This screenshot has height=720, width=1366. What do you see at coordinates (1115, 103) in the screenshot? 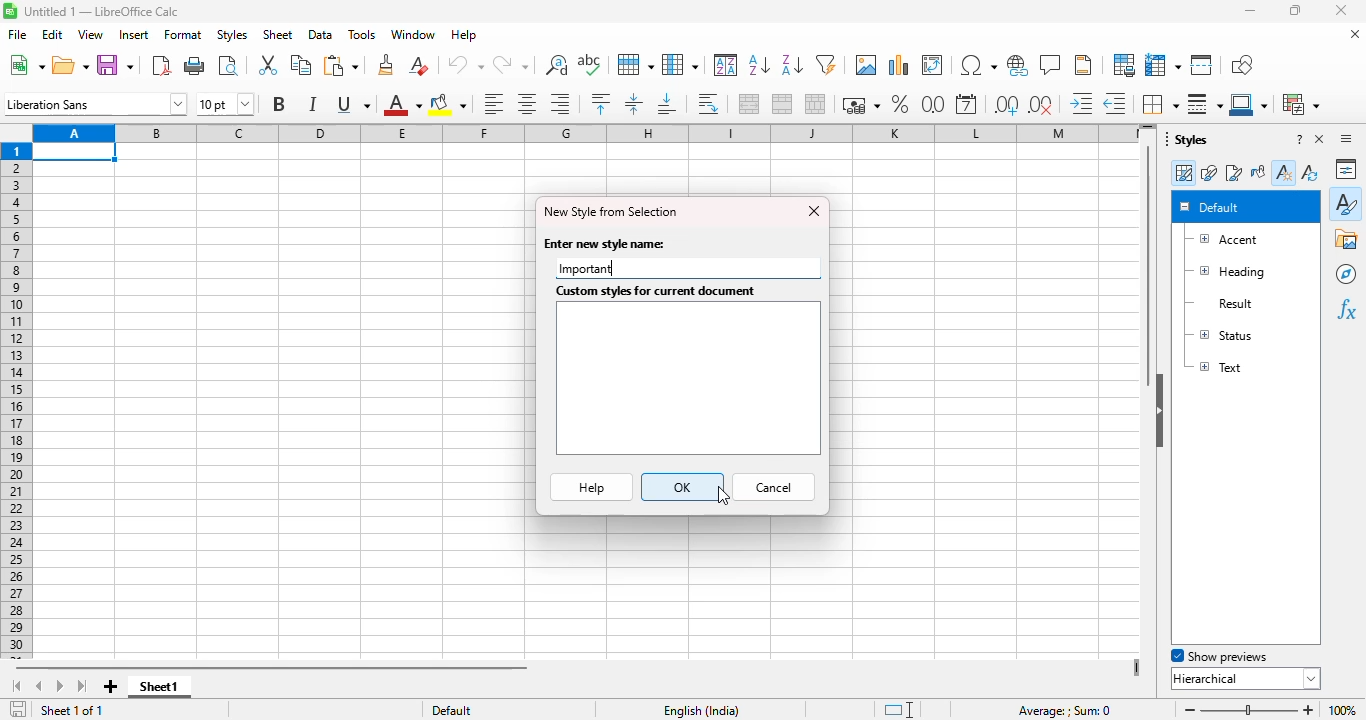
I see `delete decimal` at bounding box center [1115, 103].